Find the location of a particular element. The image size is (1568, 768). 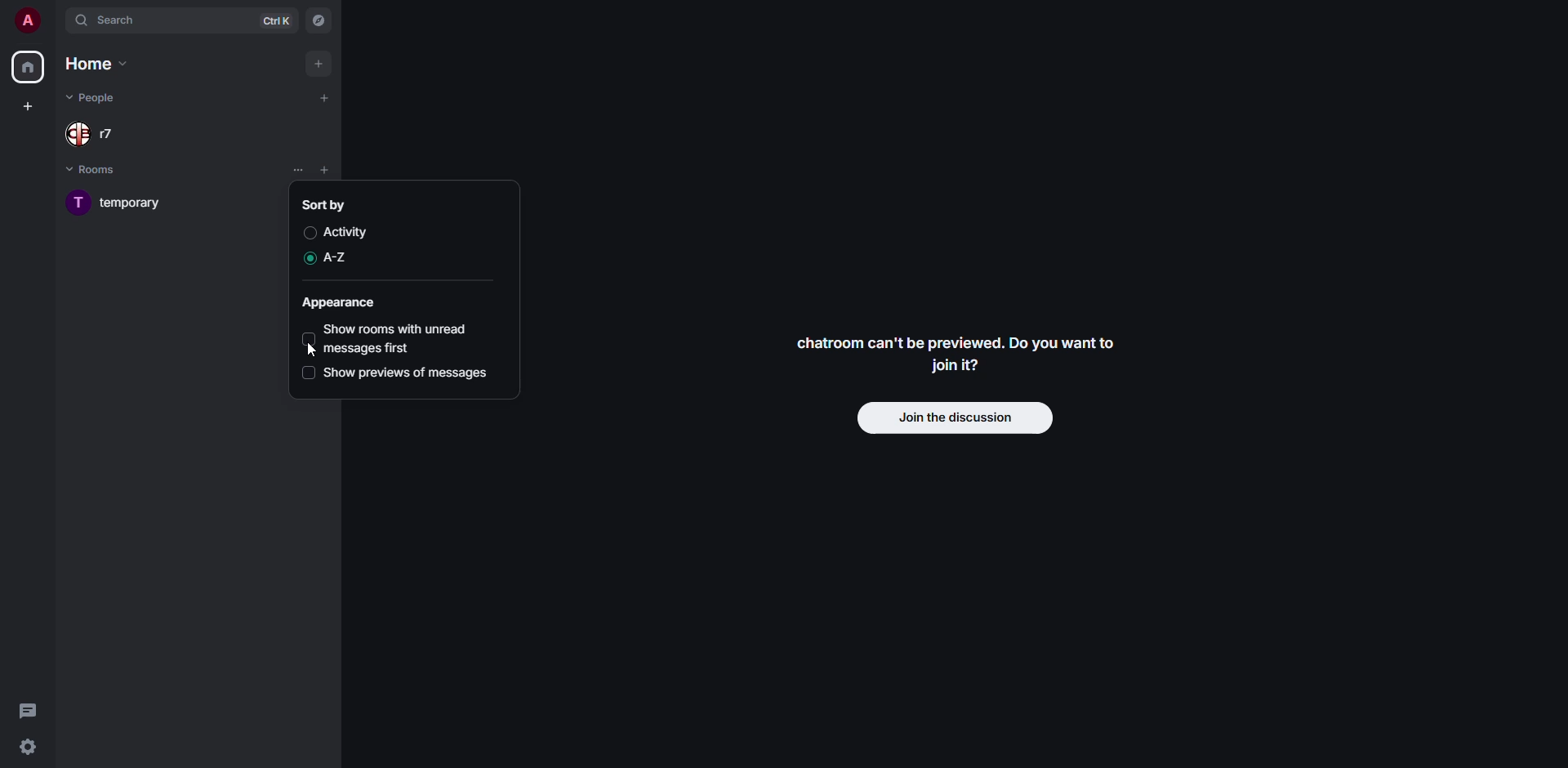

cursor is located at coordinates (314, 350).